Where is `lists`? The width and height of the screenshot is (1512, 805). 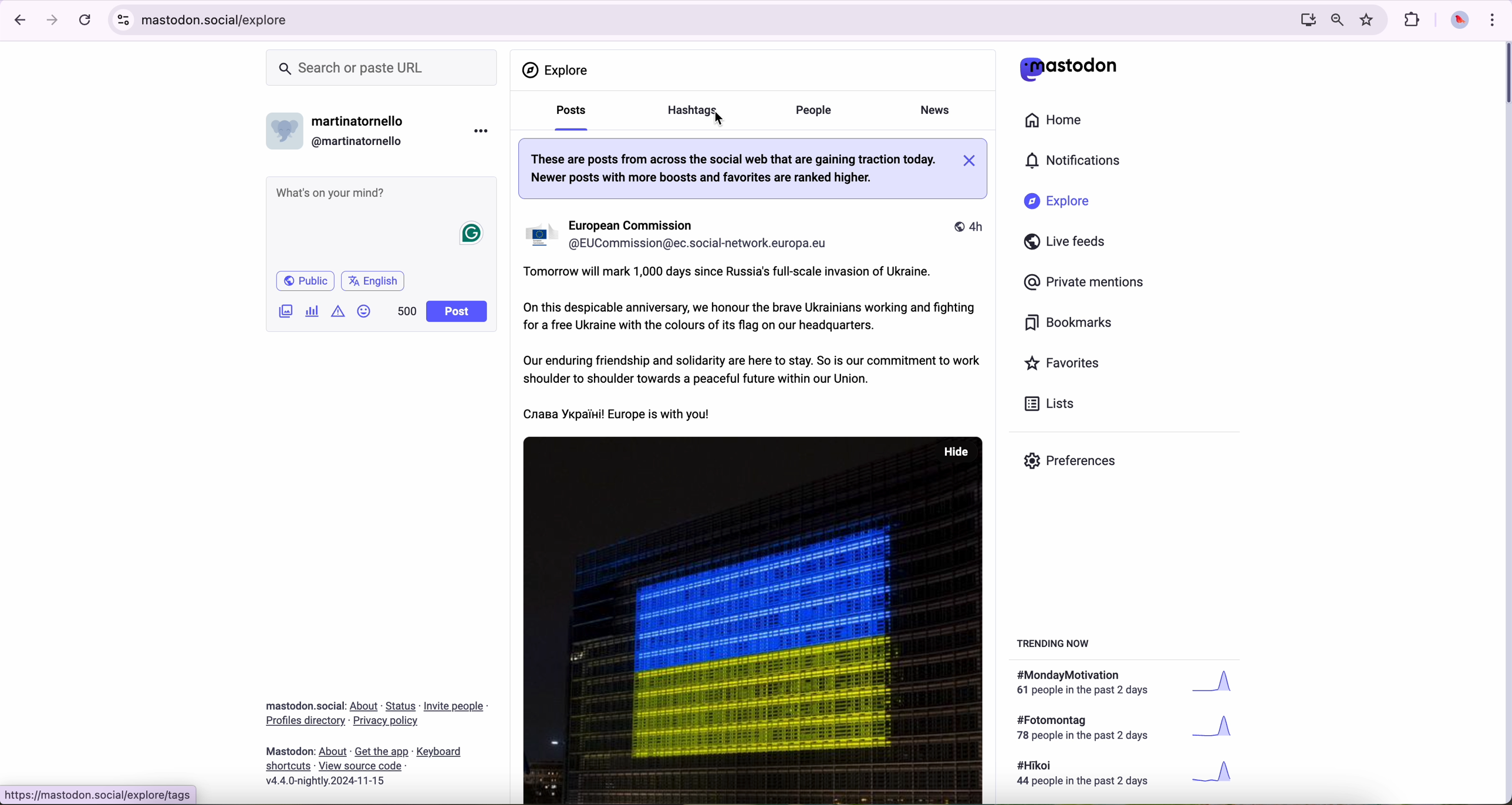 lists is located at coordinates (1054, 404).